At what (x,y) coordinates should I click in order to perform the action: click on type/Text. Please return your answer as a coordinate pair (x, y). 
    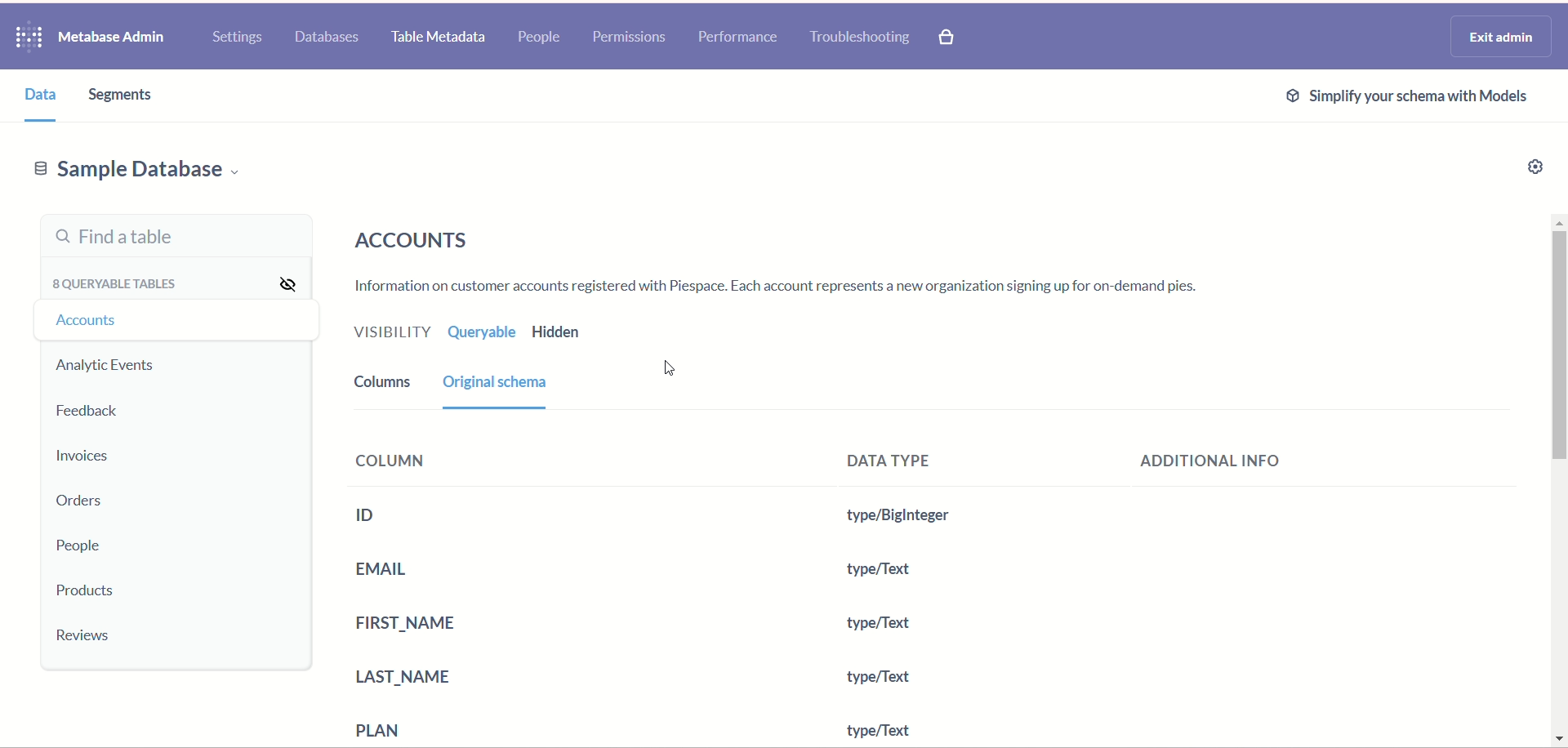
    Looking at the image, I should click on (884, 571).